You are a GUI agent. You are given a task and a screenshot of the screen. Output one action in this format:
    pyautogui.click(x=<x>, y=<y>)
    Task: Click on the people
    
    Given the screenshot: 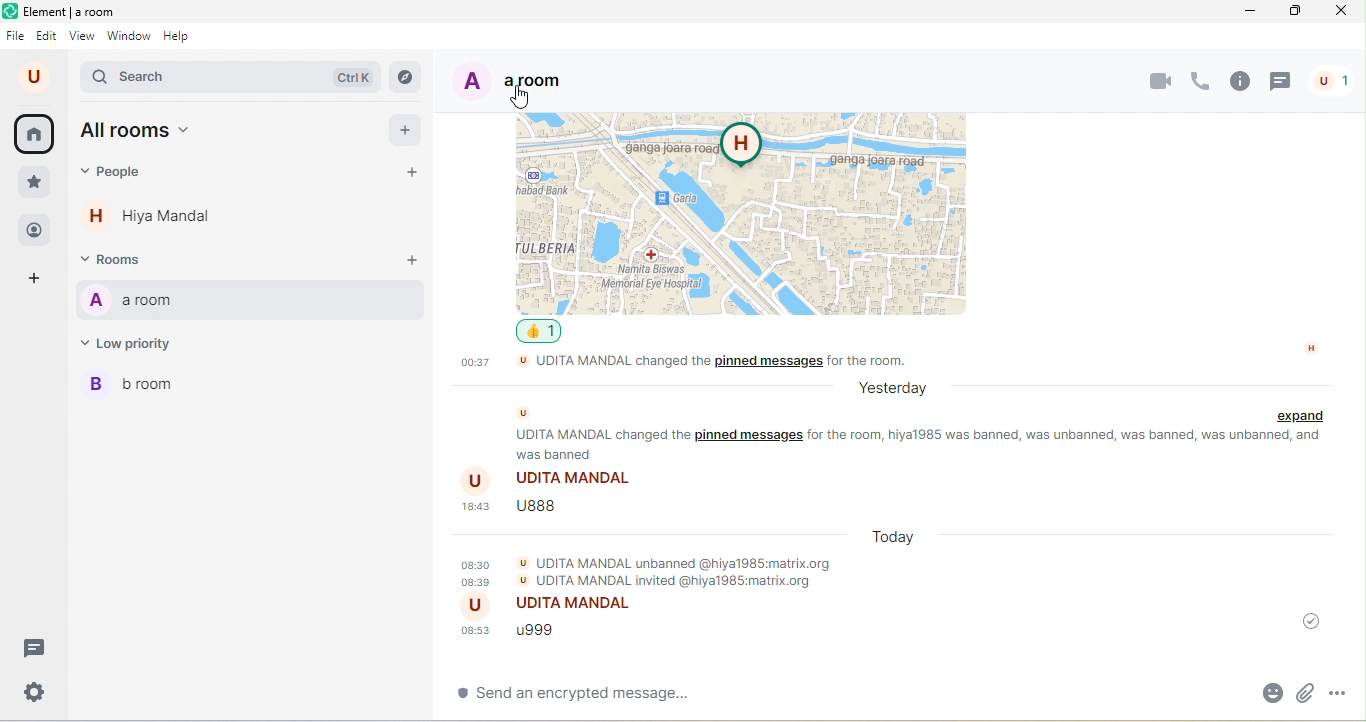 What is the action you would take?
    pyautogui.click(x=1337, y=80)
    